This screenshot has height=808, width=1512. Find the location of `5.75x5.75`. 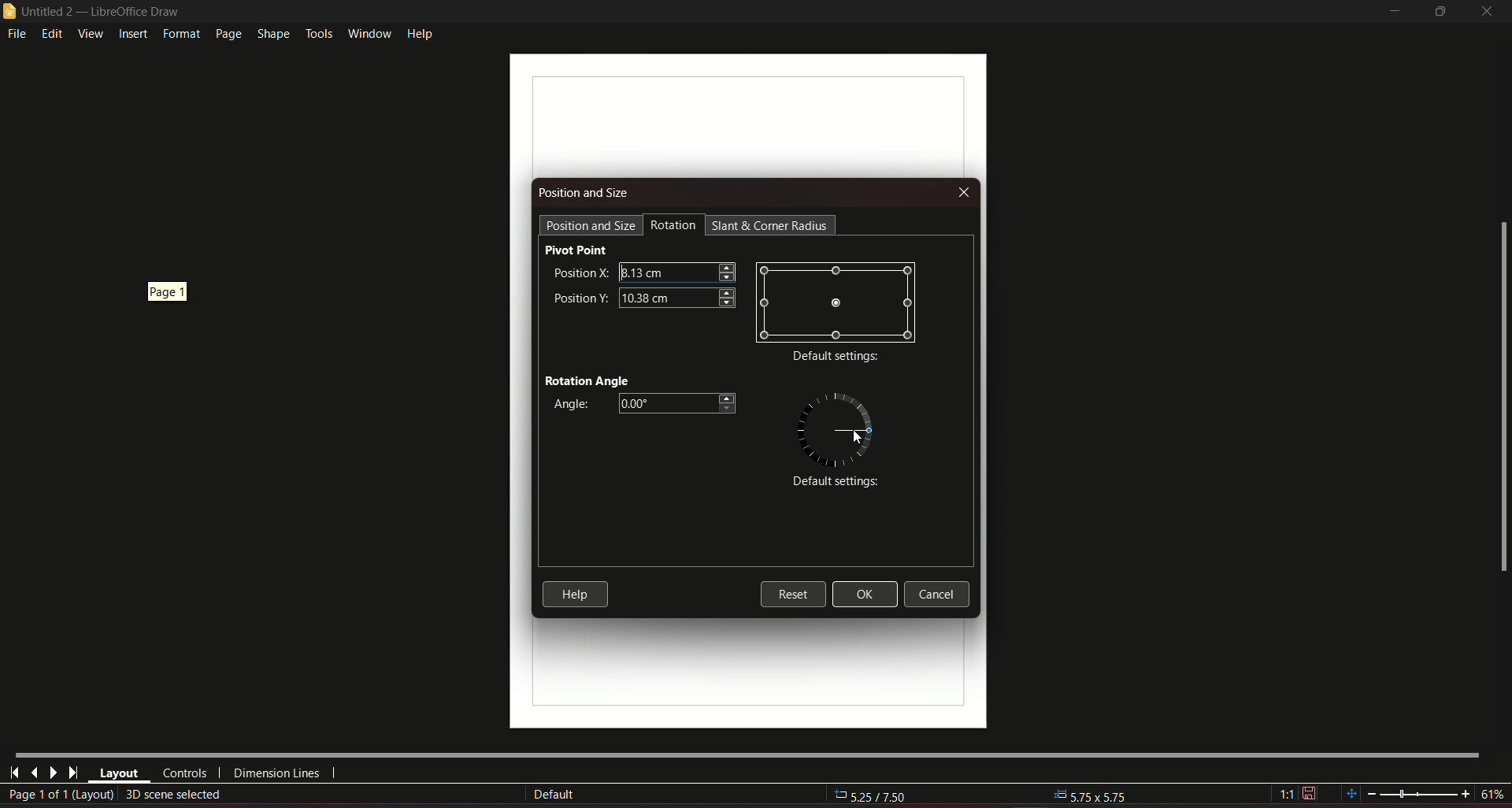

5.75x5.75 is located at coordinates (1091, 794).